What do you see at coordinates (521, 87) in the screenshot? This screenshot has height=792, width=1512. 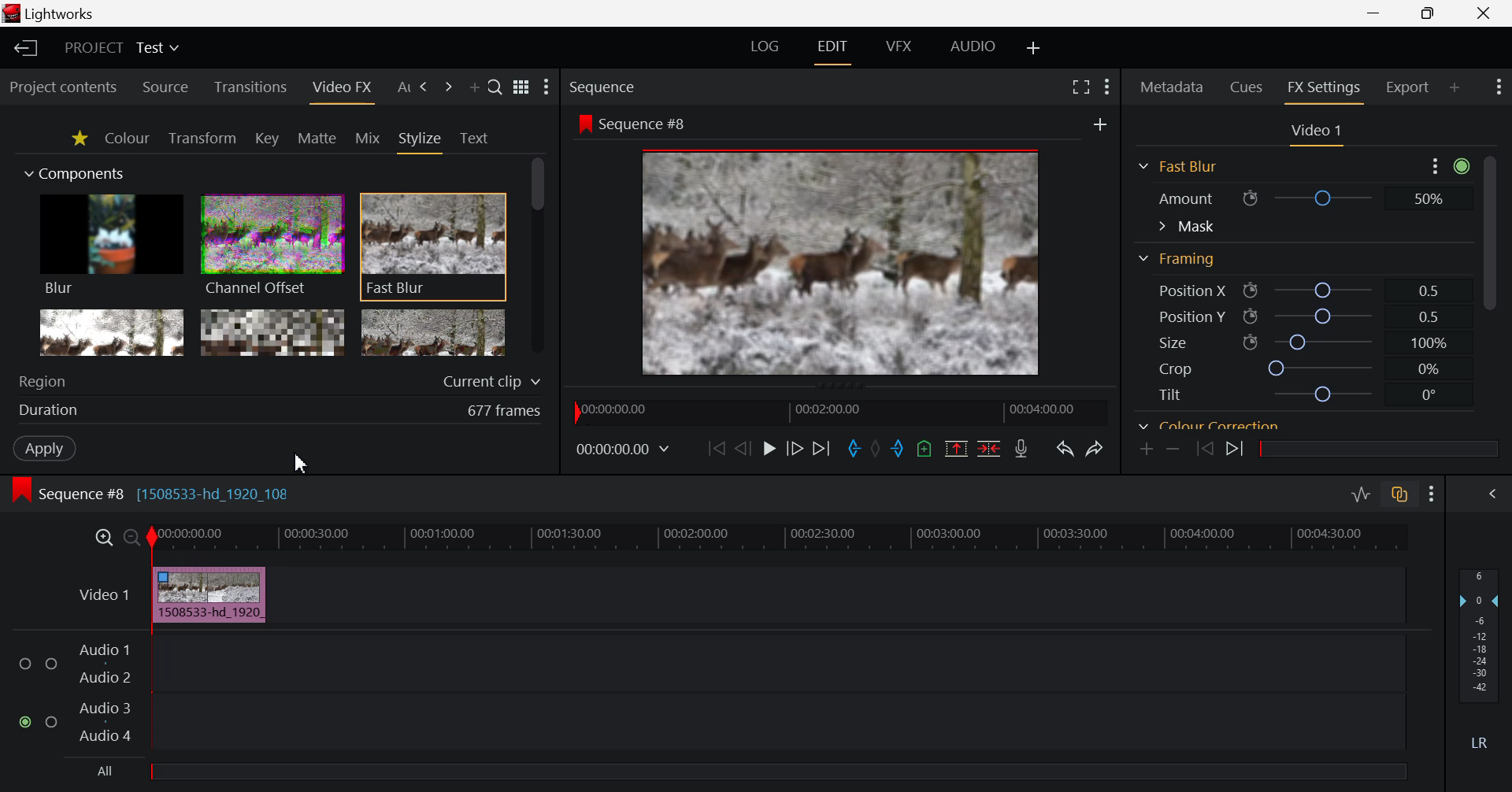 I see `Toggle list and title view` at bounding box center [521, 87].